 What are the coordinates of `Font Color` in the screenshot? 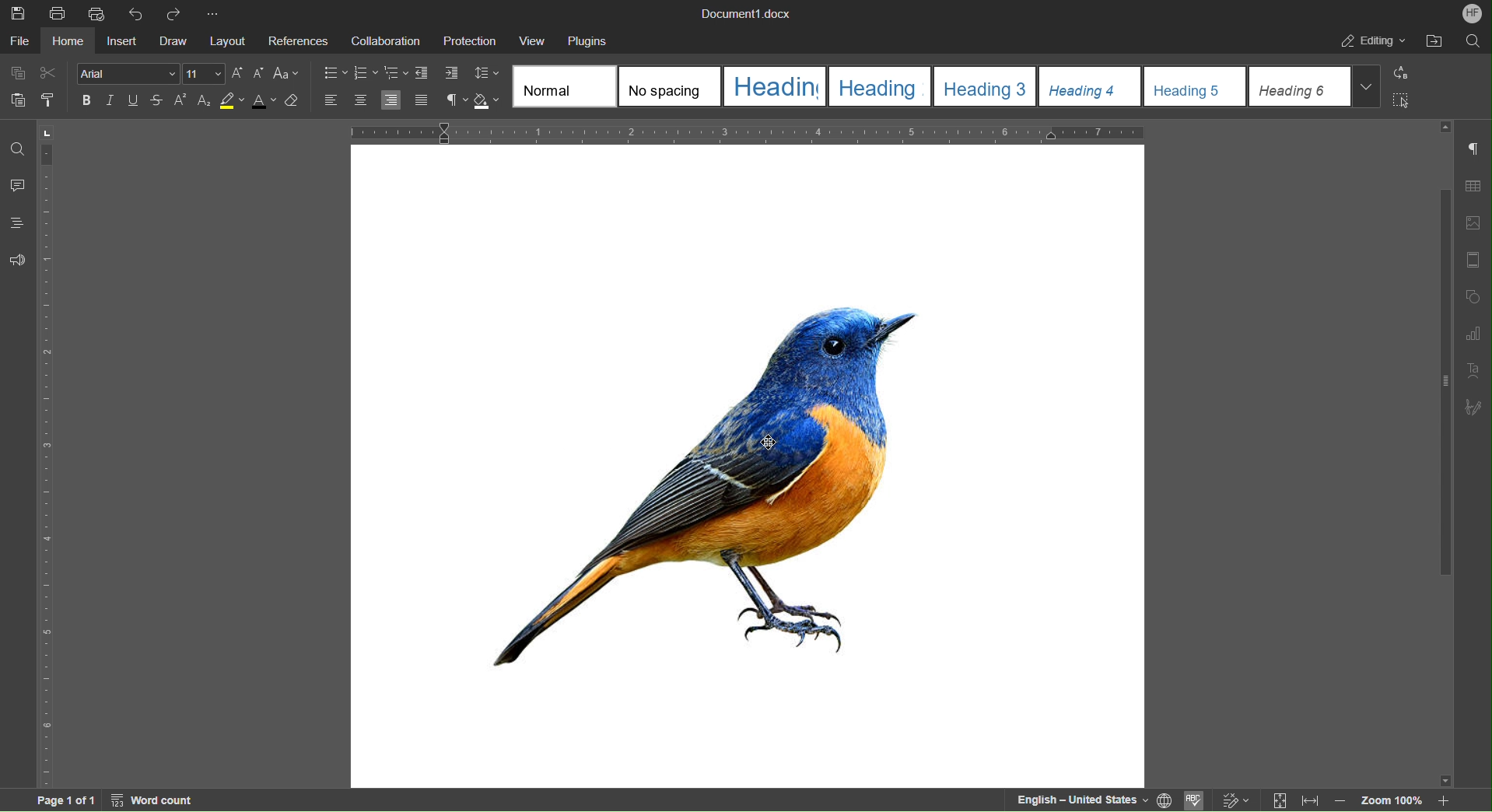 It's located at (264, 102).